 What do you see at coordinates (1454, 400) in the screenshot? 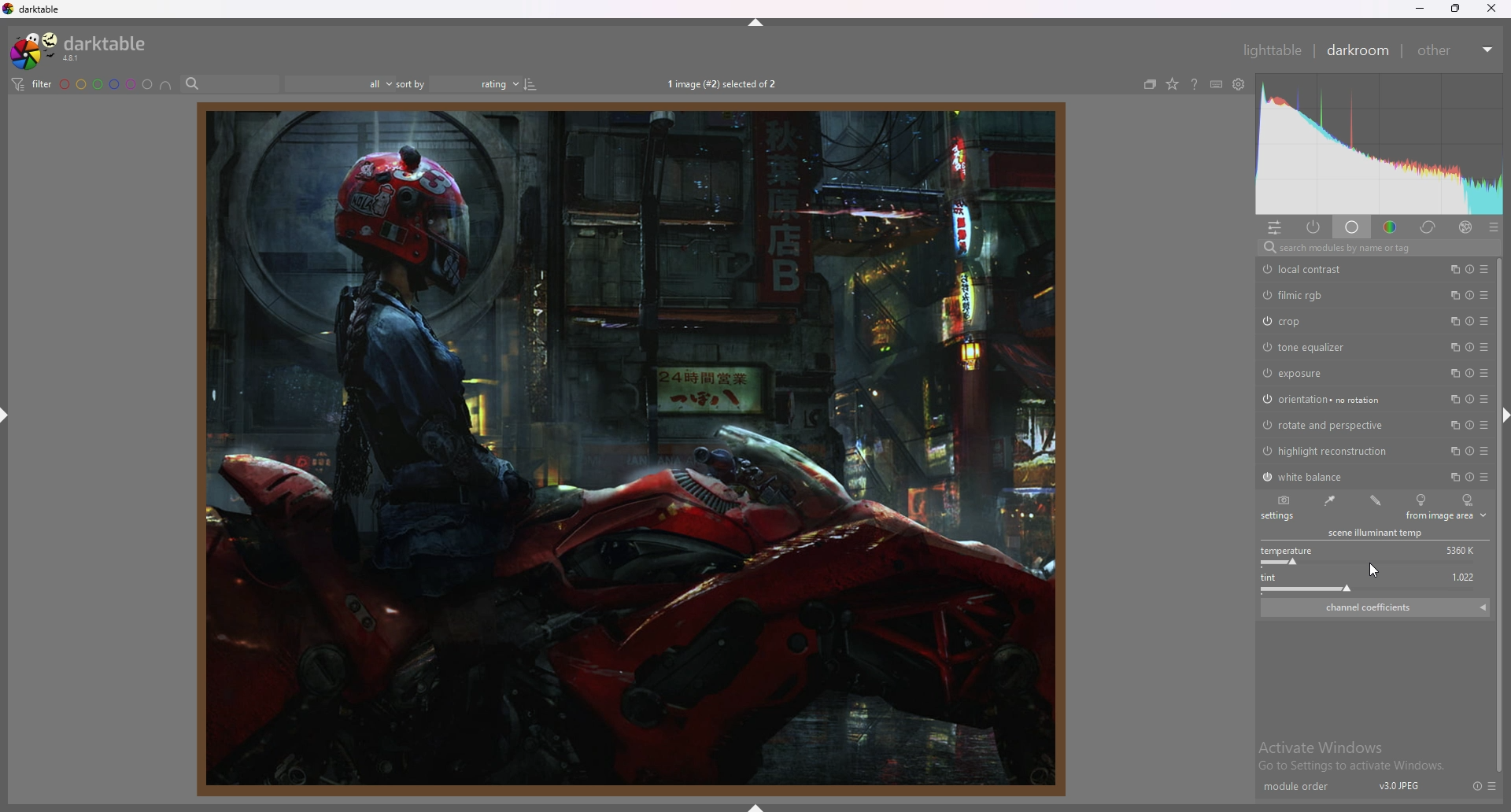
I see `multiple instances action` at bounding box center [1454, 400].